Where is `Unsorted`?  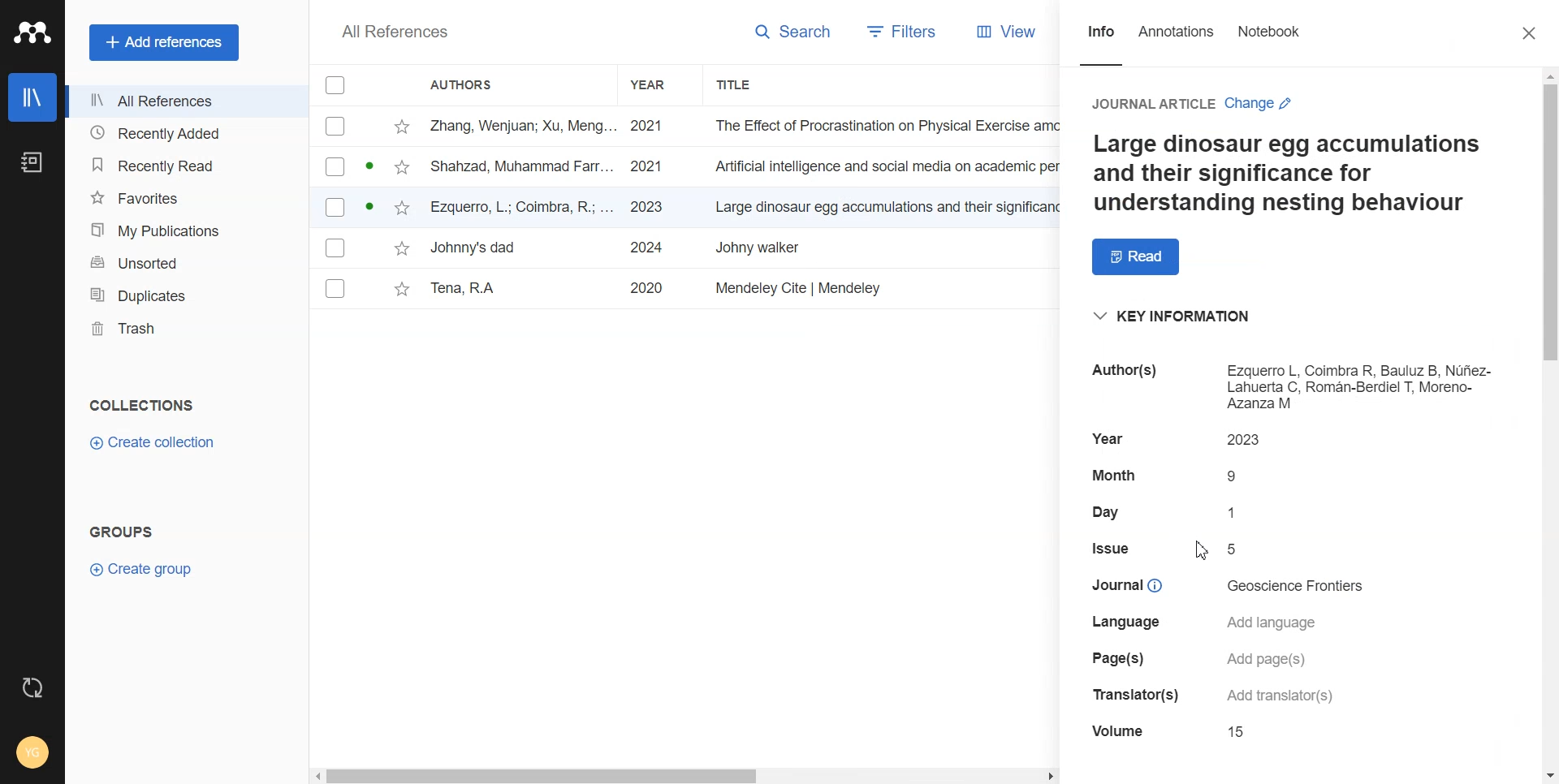 Unsorted is located at coordinates (186, 261).